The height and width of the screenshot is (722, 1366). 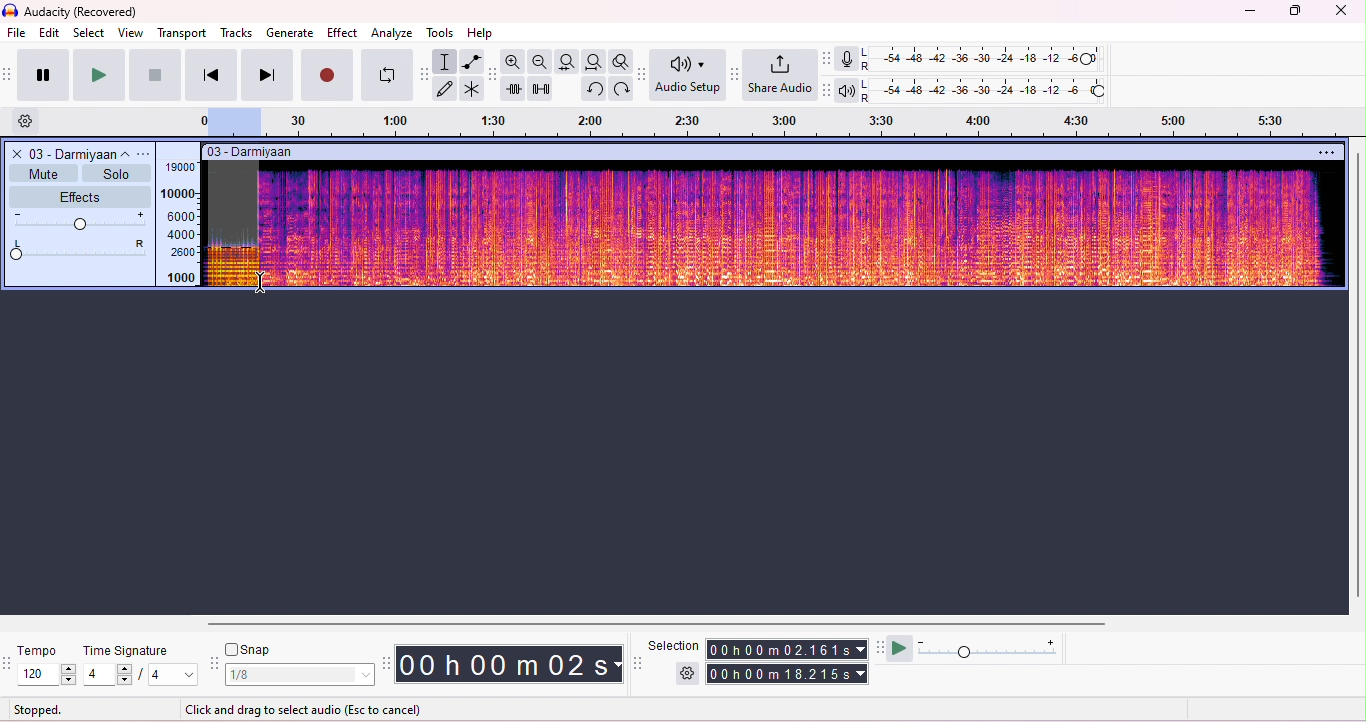 I want to click on looping, so click(x=384, y=75).